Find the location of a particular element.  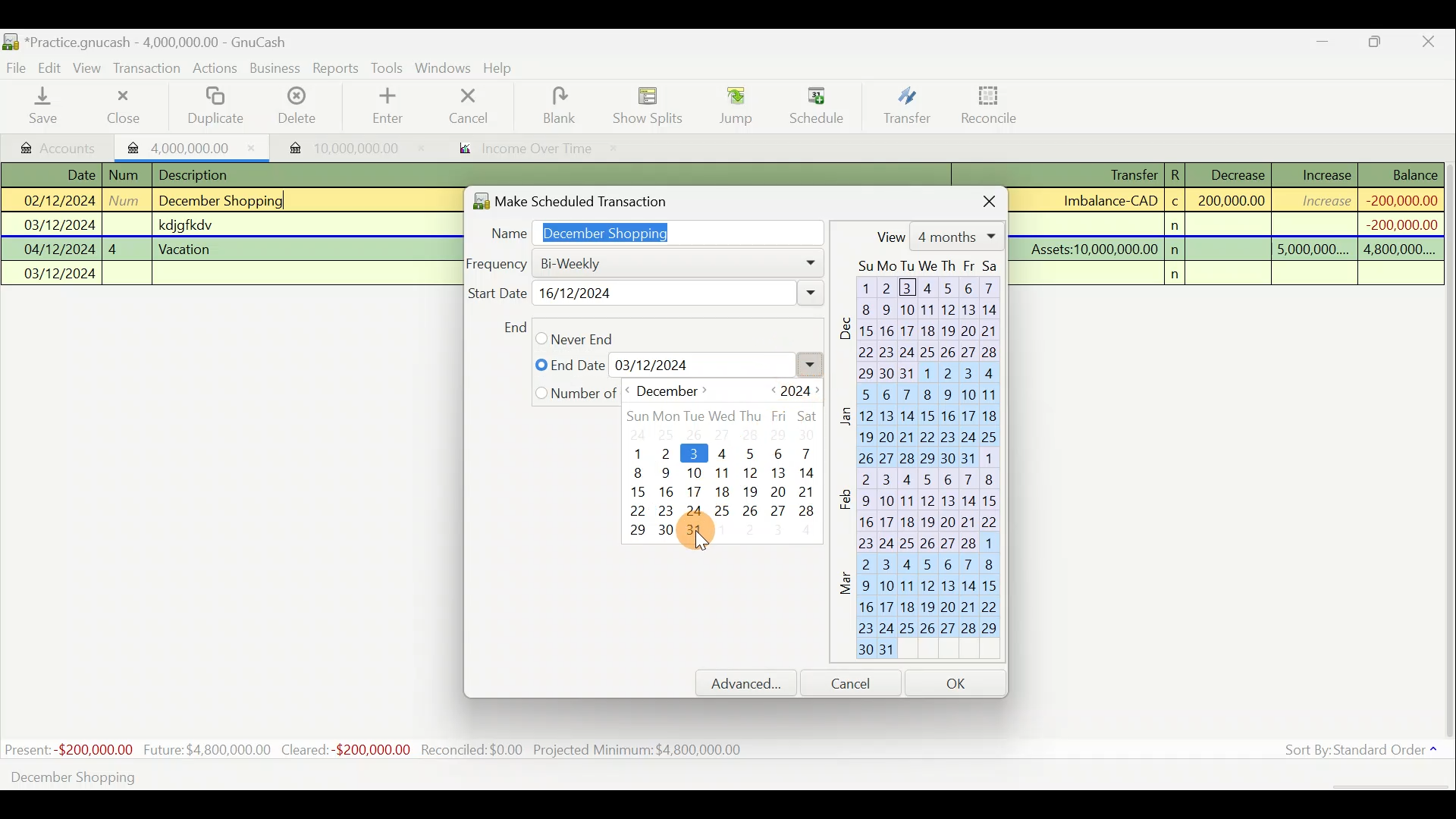

Jump is located at coordinates (731, 105).